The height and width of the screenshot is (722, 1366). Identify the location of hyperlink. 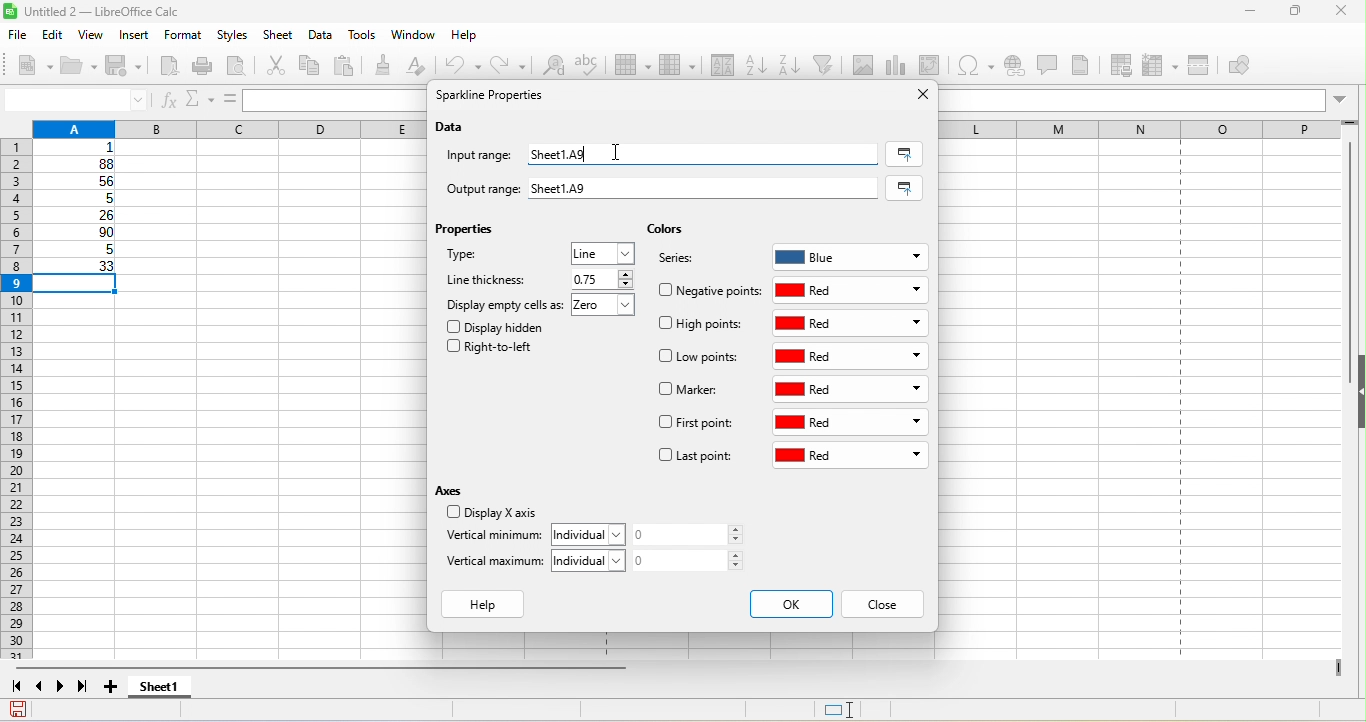
(1018, 68).